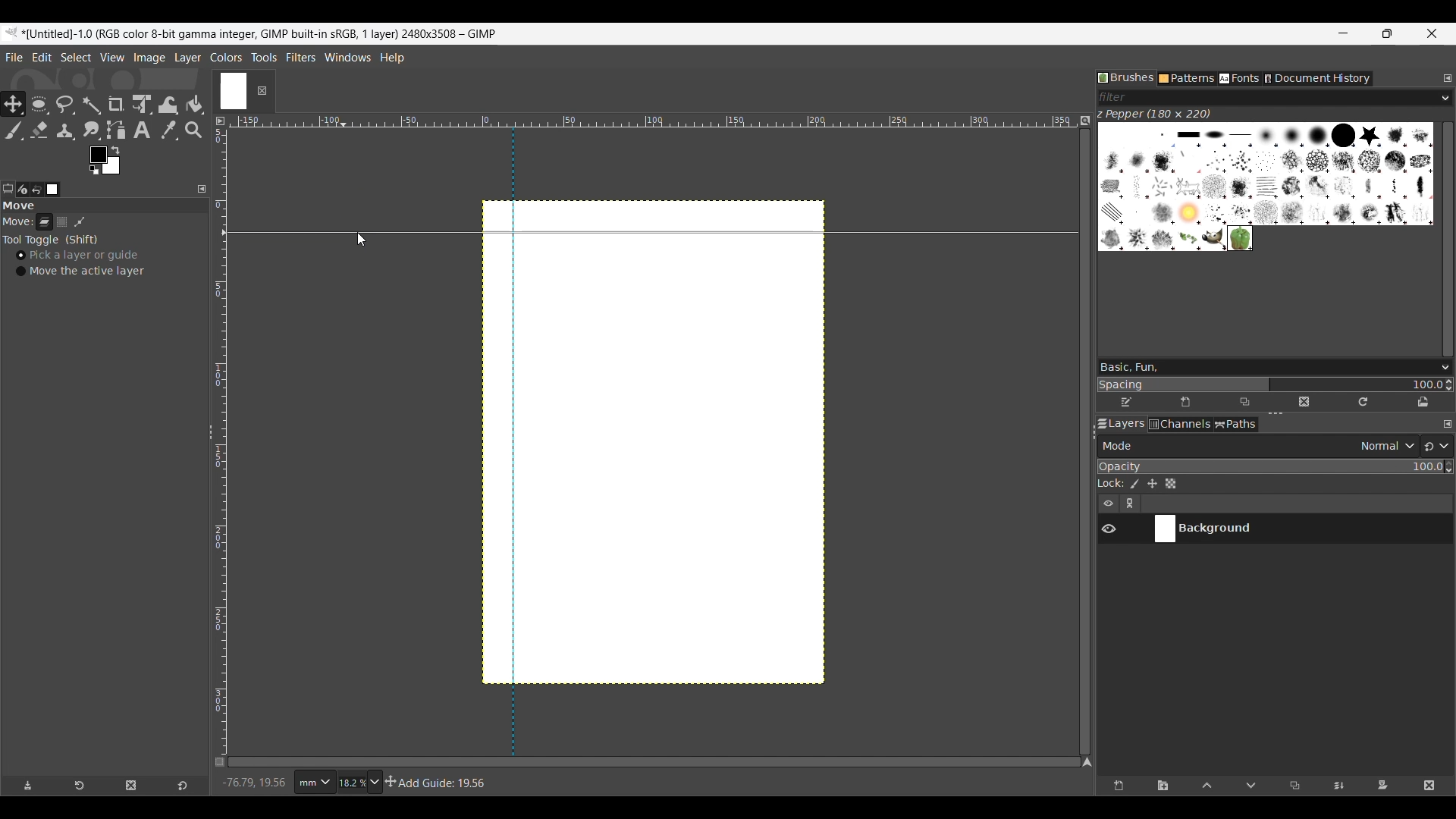 The height and width of the screenshot is (819, 1456). I want to click on Unified transform tool, so click(141, 104).